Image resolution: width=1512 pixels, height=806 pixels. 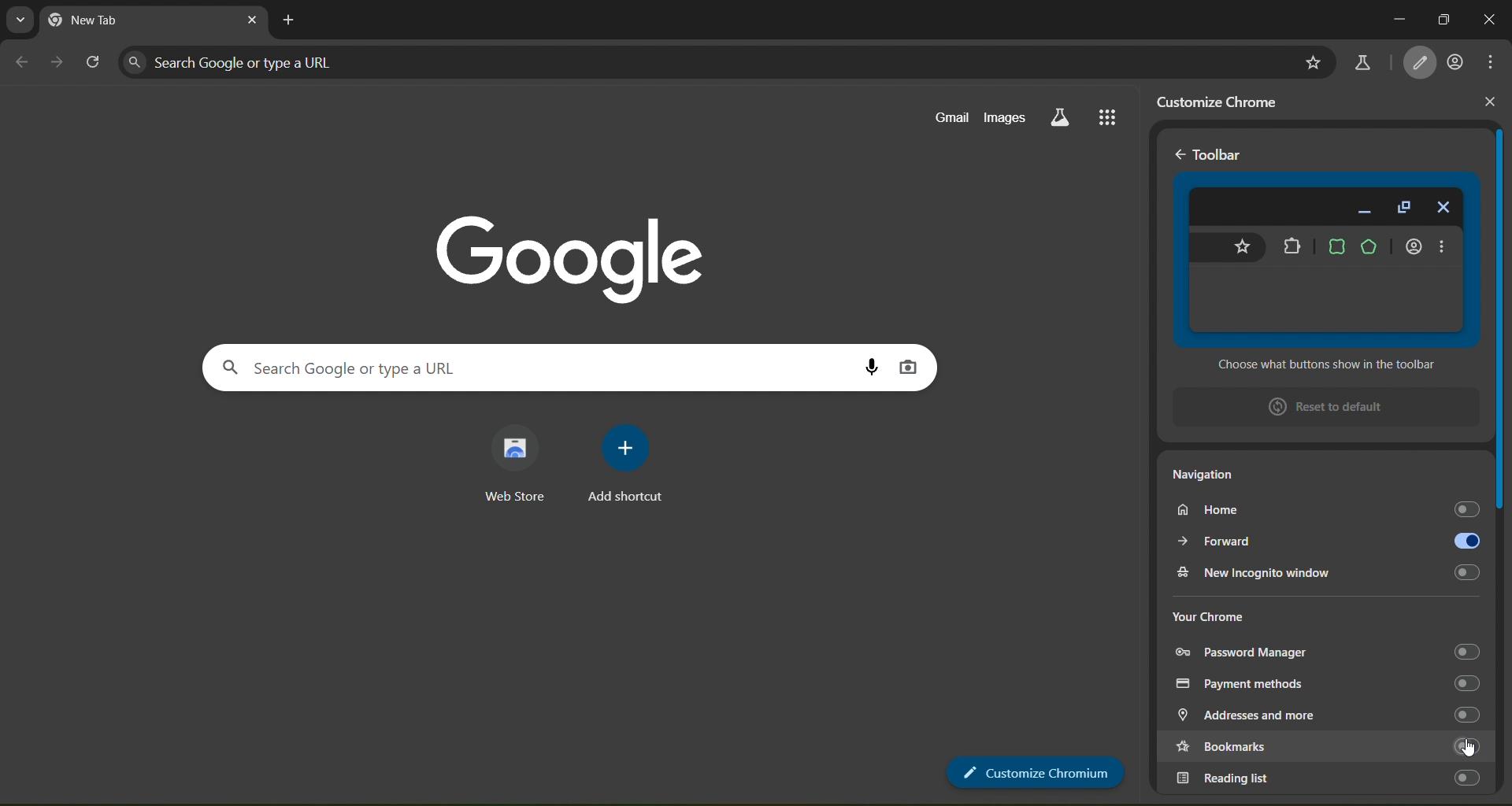 I want to click on slider, so click(x=1503, y=427).